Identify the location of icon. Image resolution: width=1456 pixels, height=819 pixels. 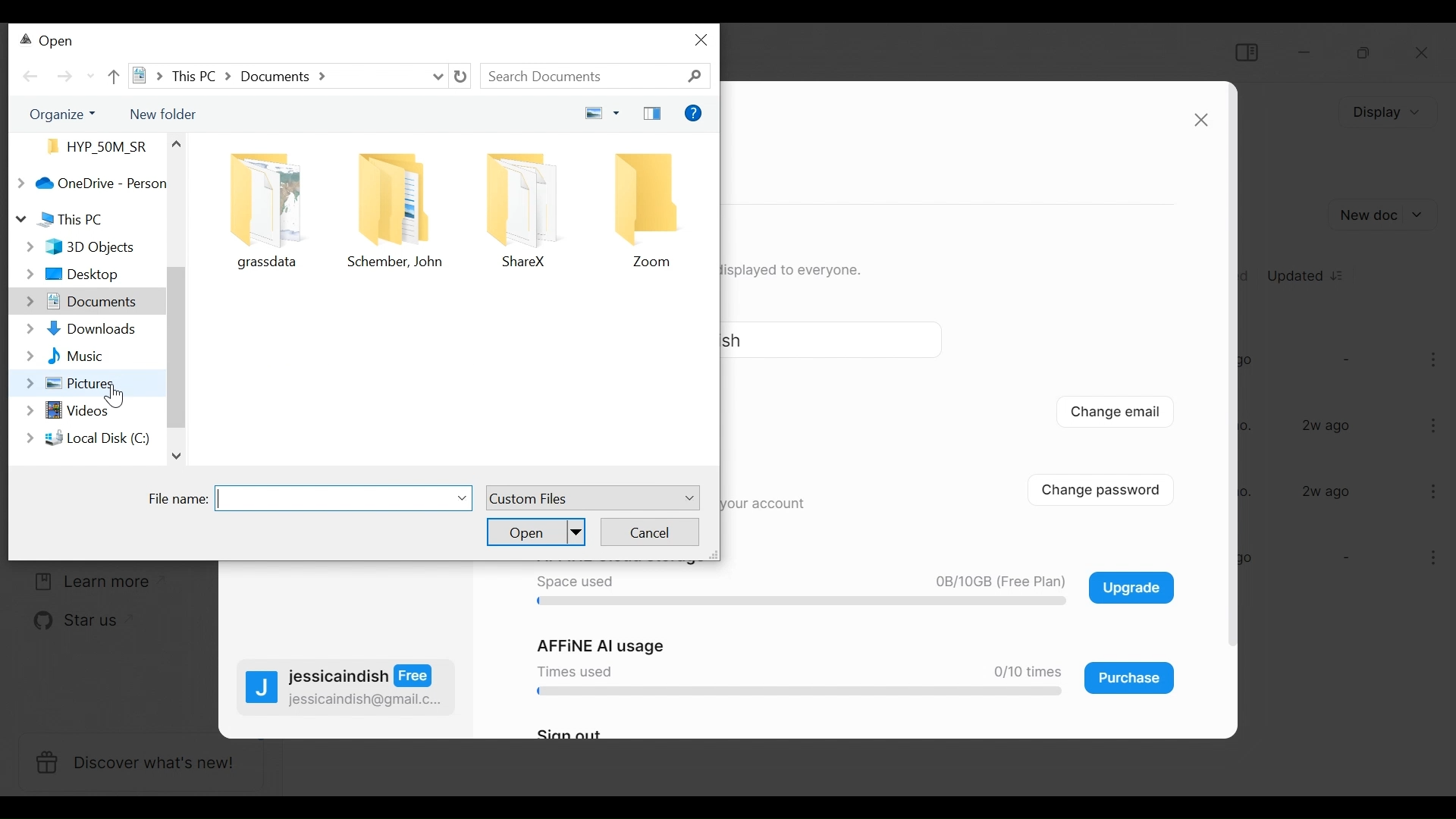
(268, 196).